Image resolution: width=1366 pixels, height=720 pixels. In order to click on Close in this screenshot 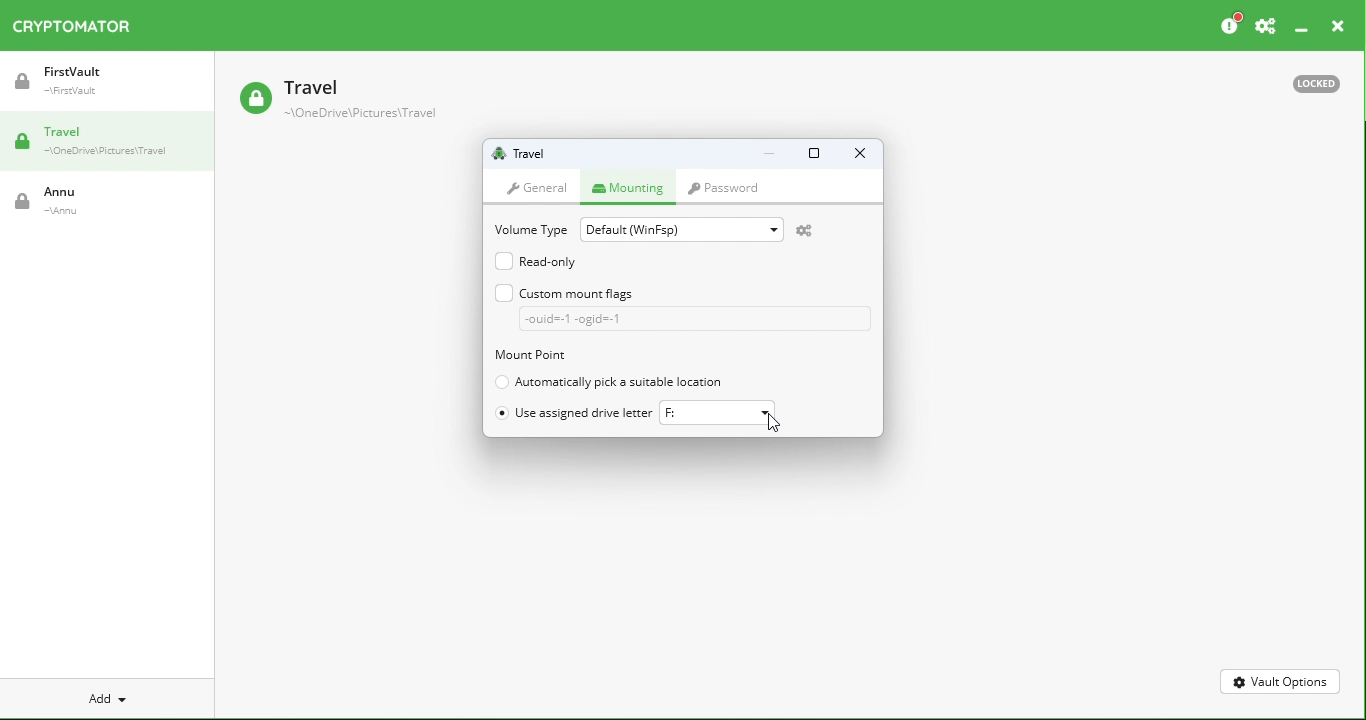, I will do `click(858, 155)`.